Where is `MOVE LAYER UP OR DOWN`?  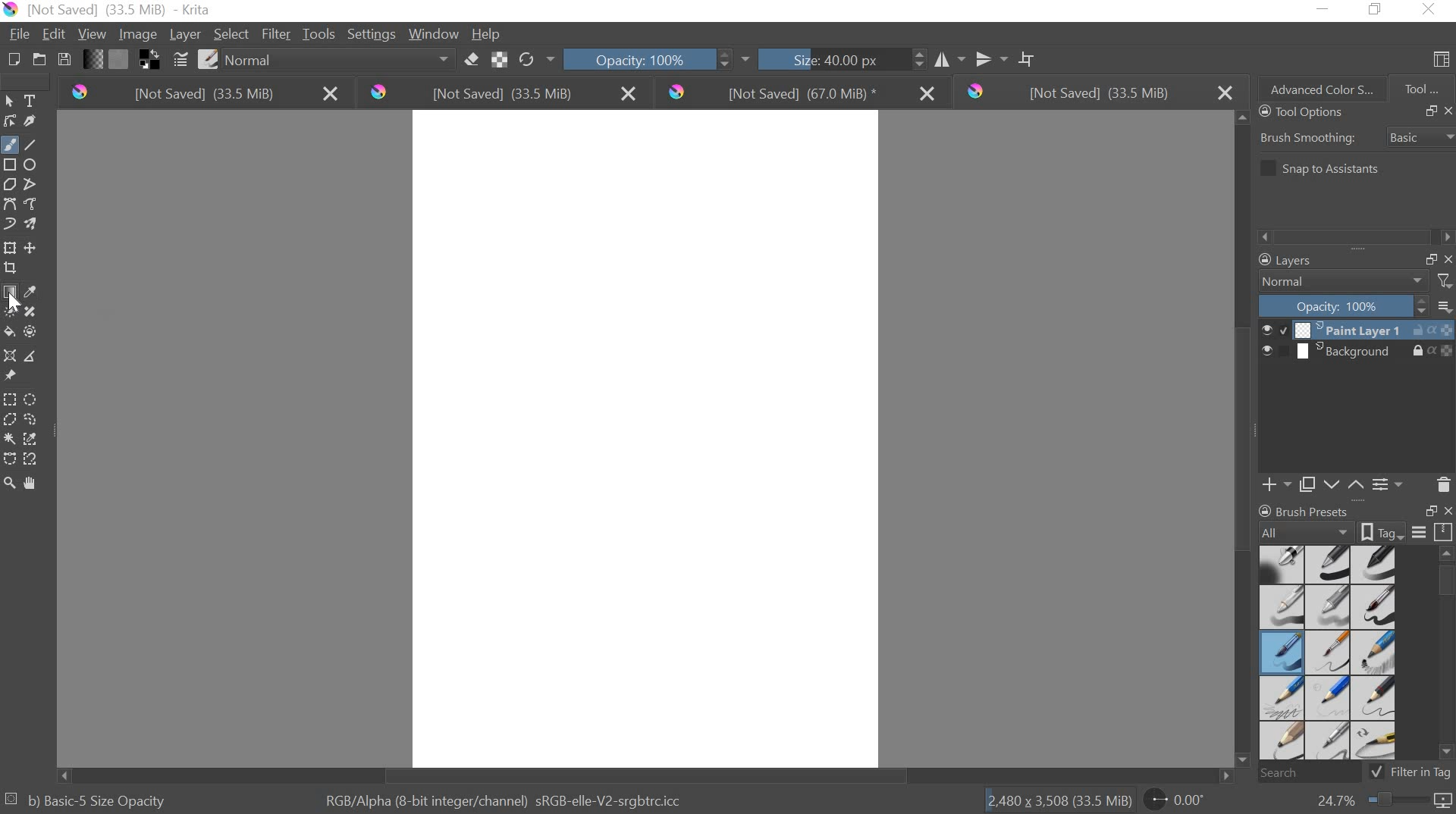
MOVE LAYER UP OR DOWN is located at coordinates (1341, 484).